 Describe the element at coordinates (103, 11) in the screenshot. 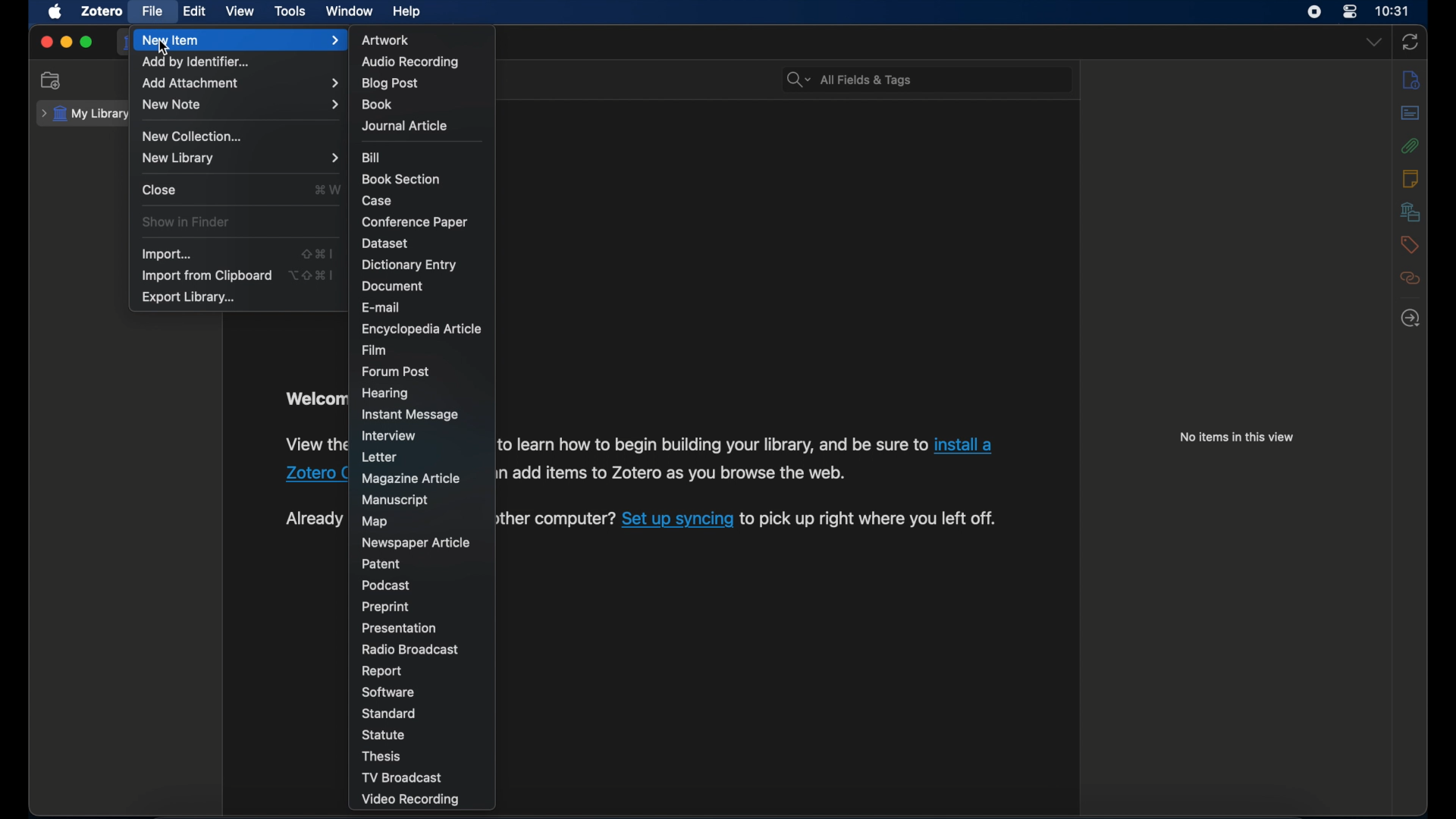

I see `zotero` at that location.